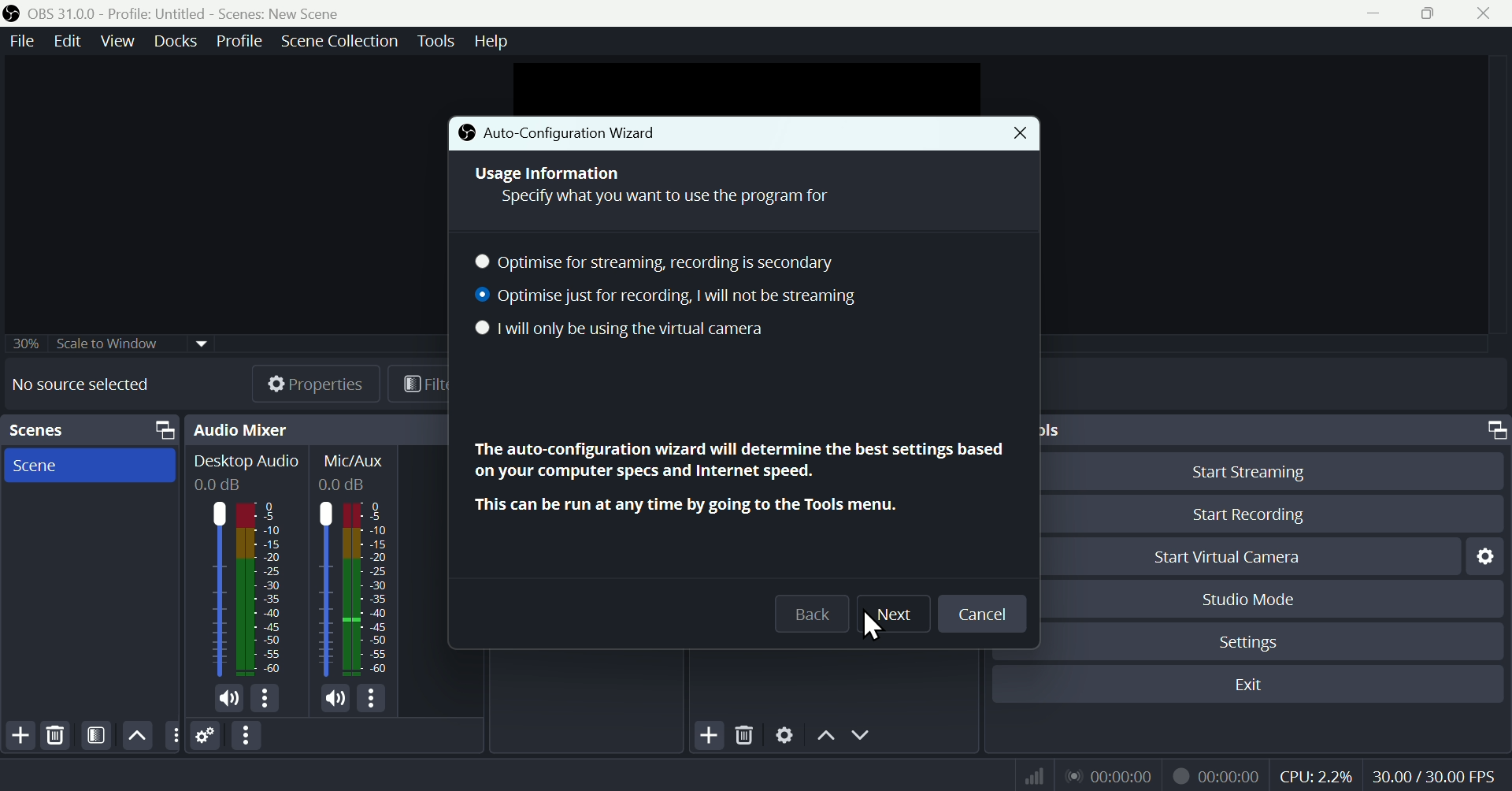 This screenshot has height=791, width=1512. Describe the element at coordinates (439, 41) in the screenshot. I see `Tools` at that location.